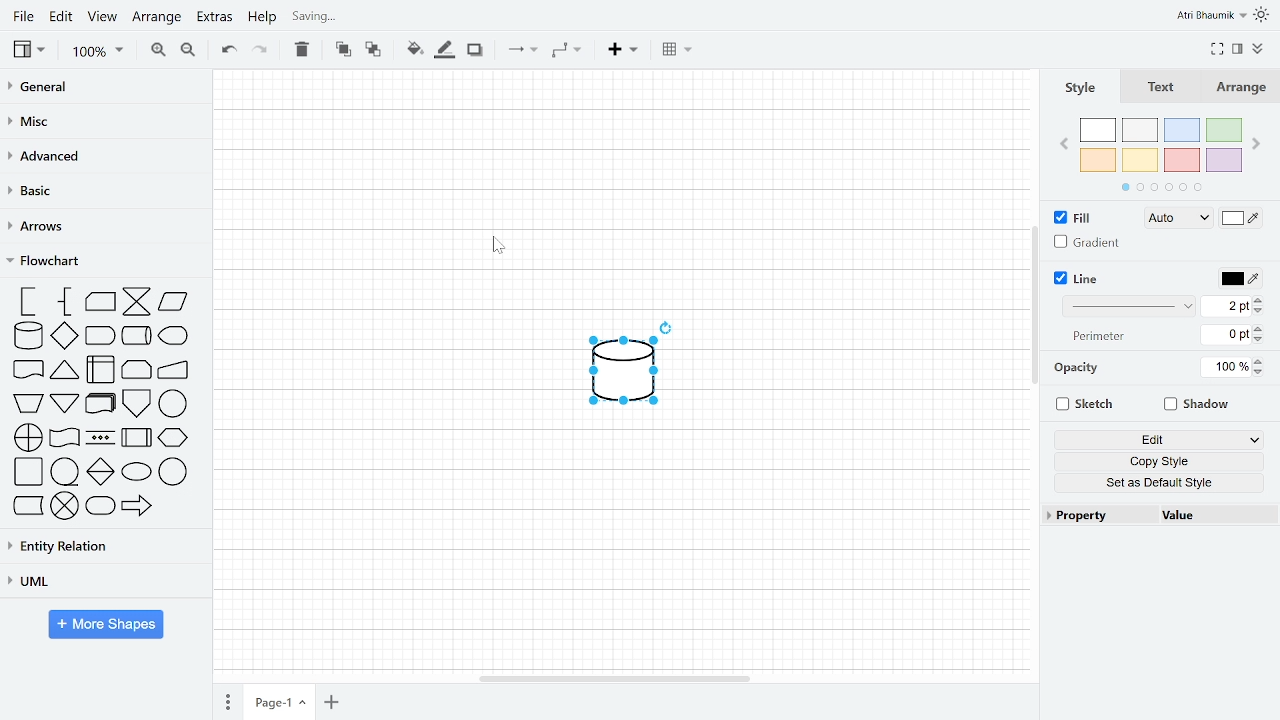 The height and width of the screenshot is (720, 1280). I want to click on Decrease perimeter, so click(1259, 341).